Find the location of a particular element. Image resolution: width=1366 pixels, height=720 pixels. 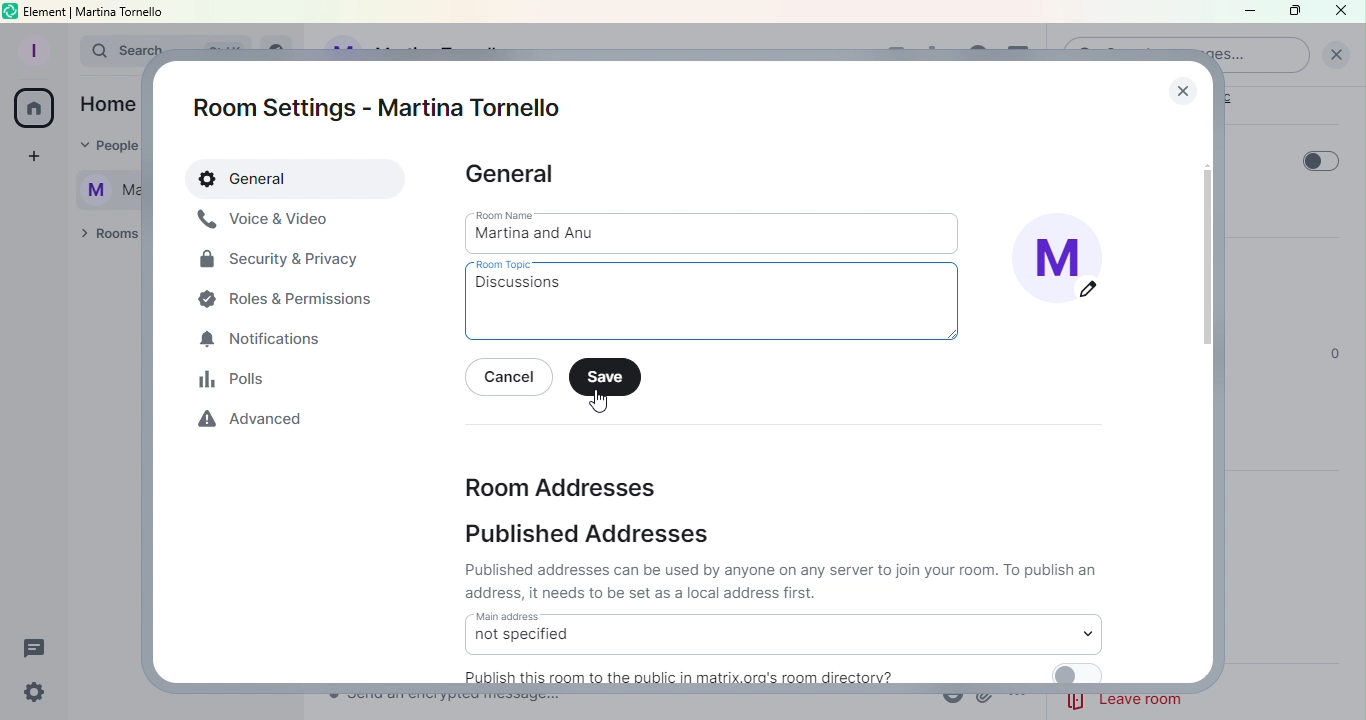

Notification is located at coordinates (263, 341).